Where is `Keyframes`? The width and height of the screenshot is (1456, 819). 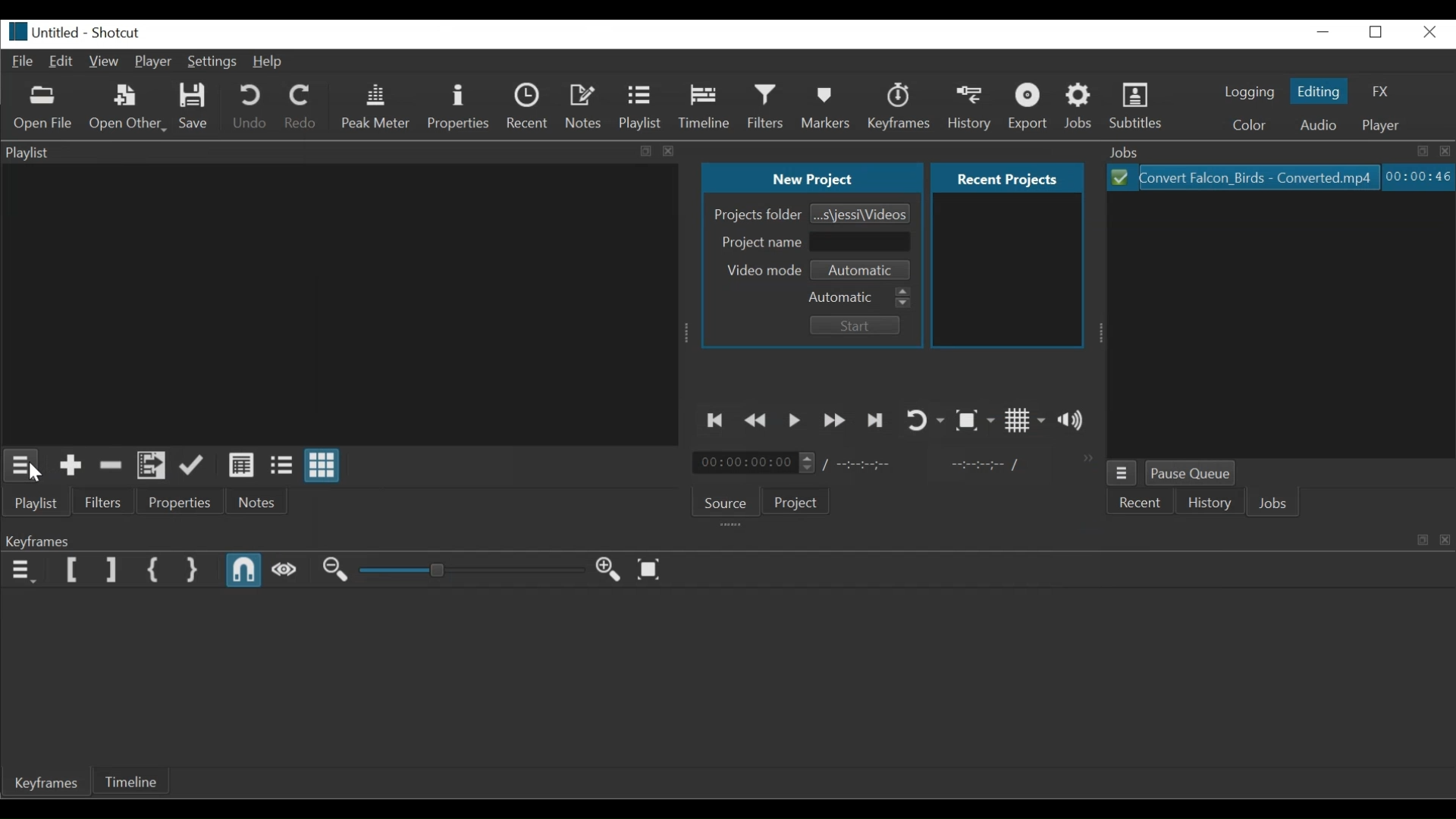
Keyframes is located at coordinates (902, 107).